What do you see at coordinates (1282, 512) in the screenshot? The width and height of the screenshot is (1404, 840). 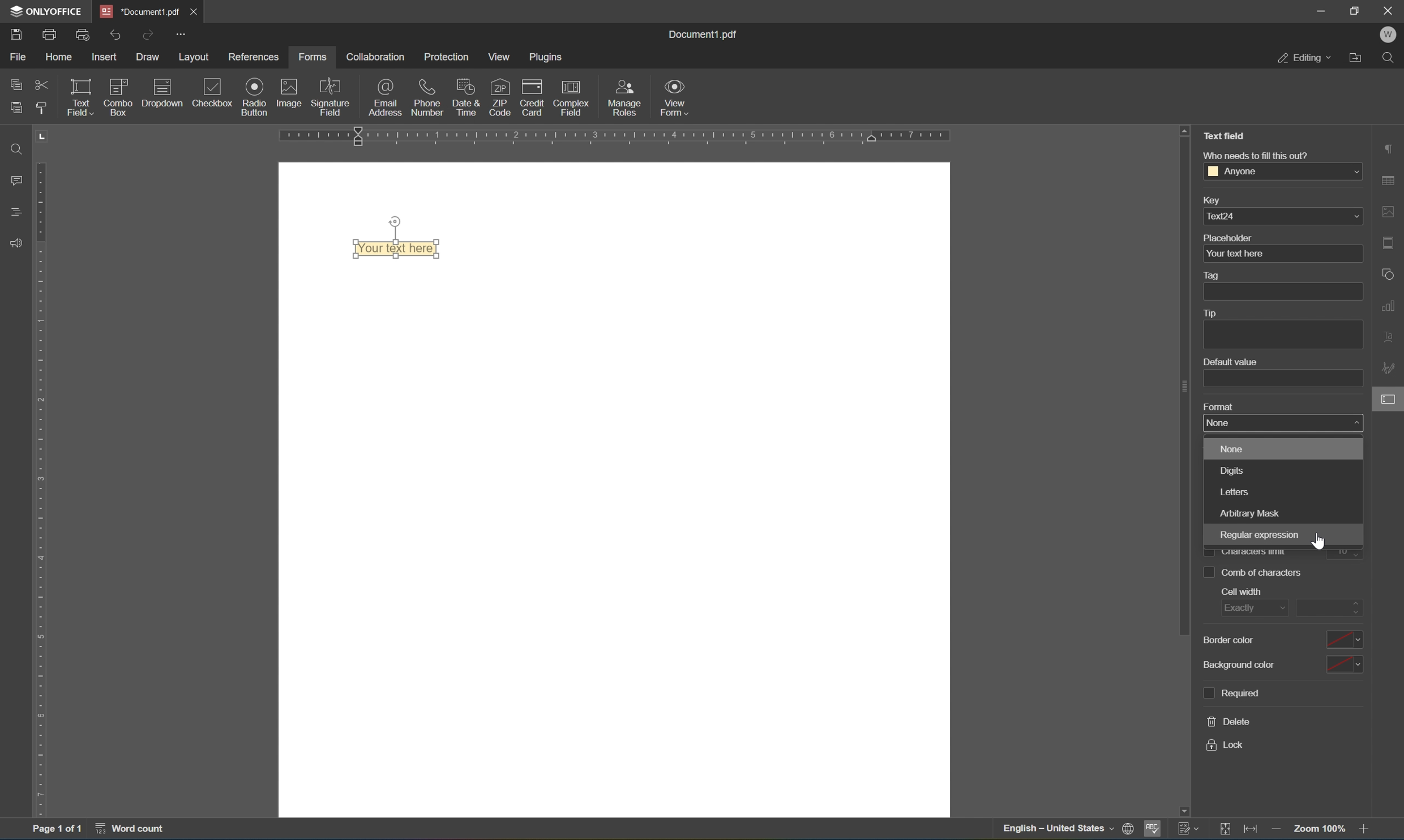 I see `arbitrary mask` at bounding box center [1282, 512].